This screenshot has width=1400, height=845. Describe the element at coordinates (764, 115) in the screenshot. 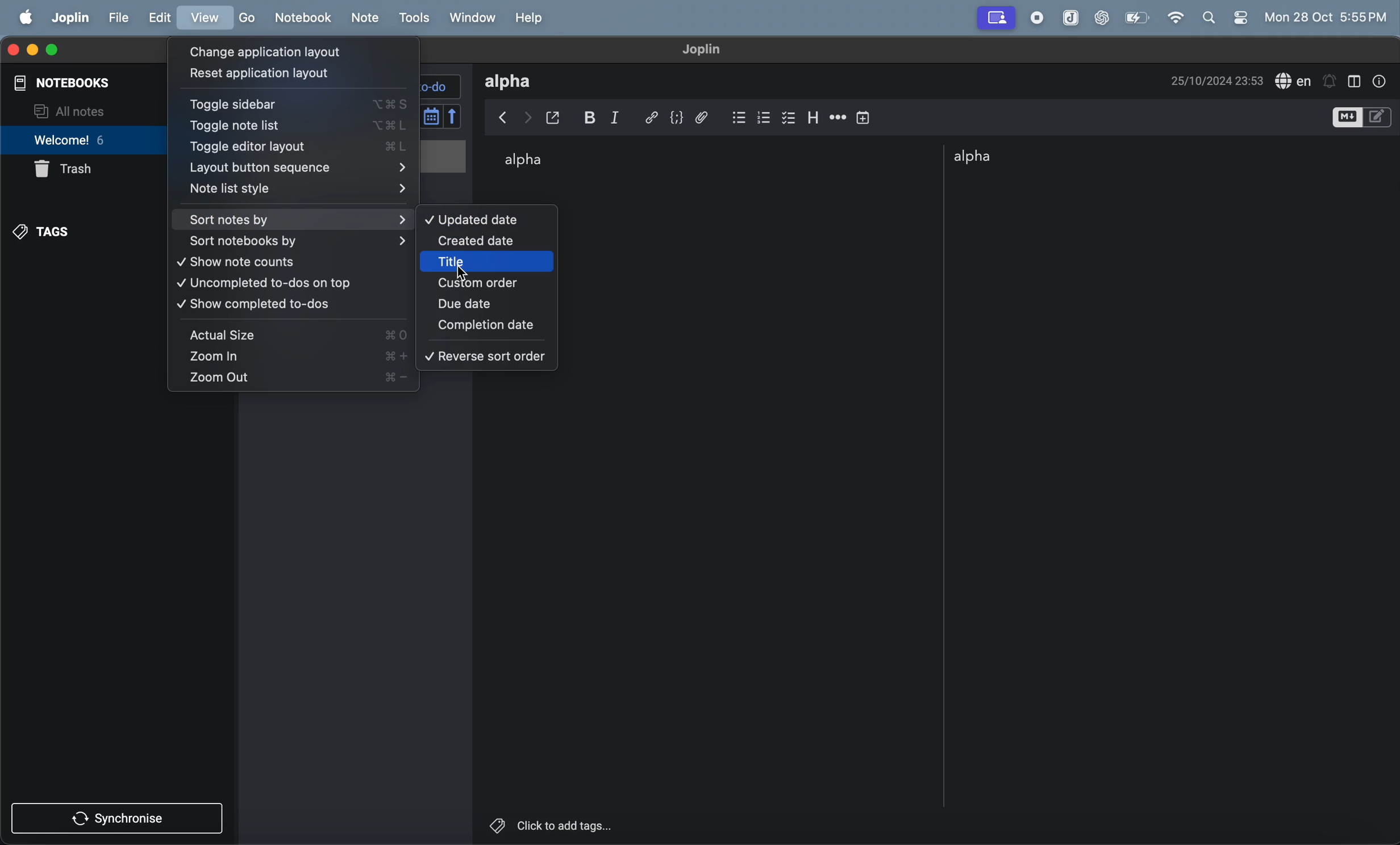

I see `numbered list` at that location.